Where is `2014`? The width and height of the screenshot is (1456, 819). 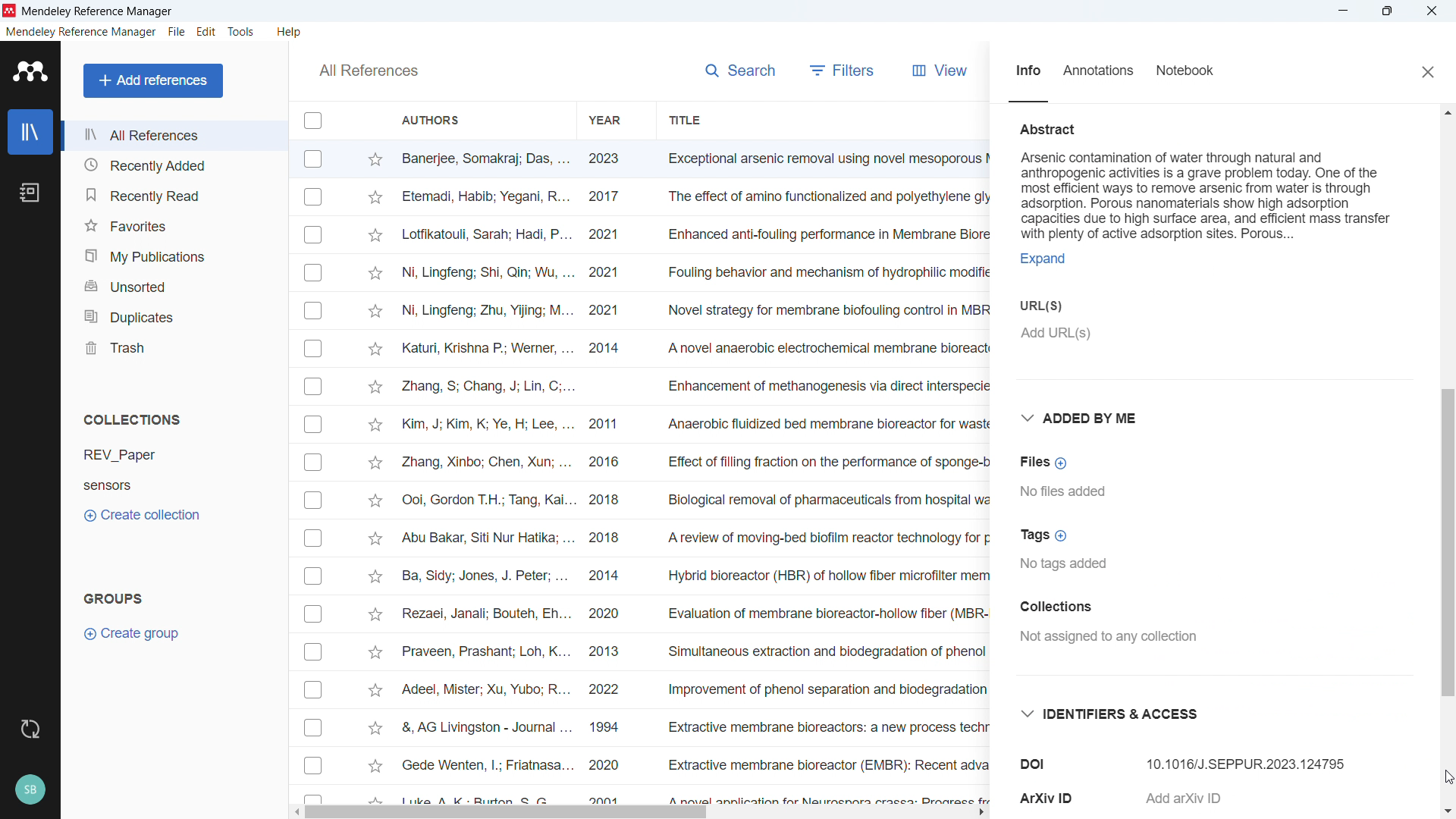
2014 is located at coordinates (606, 578).